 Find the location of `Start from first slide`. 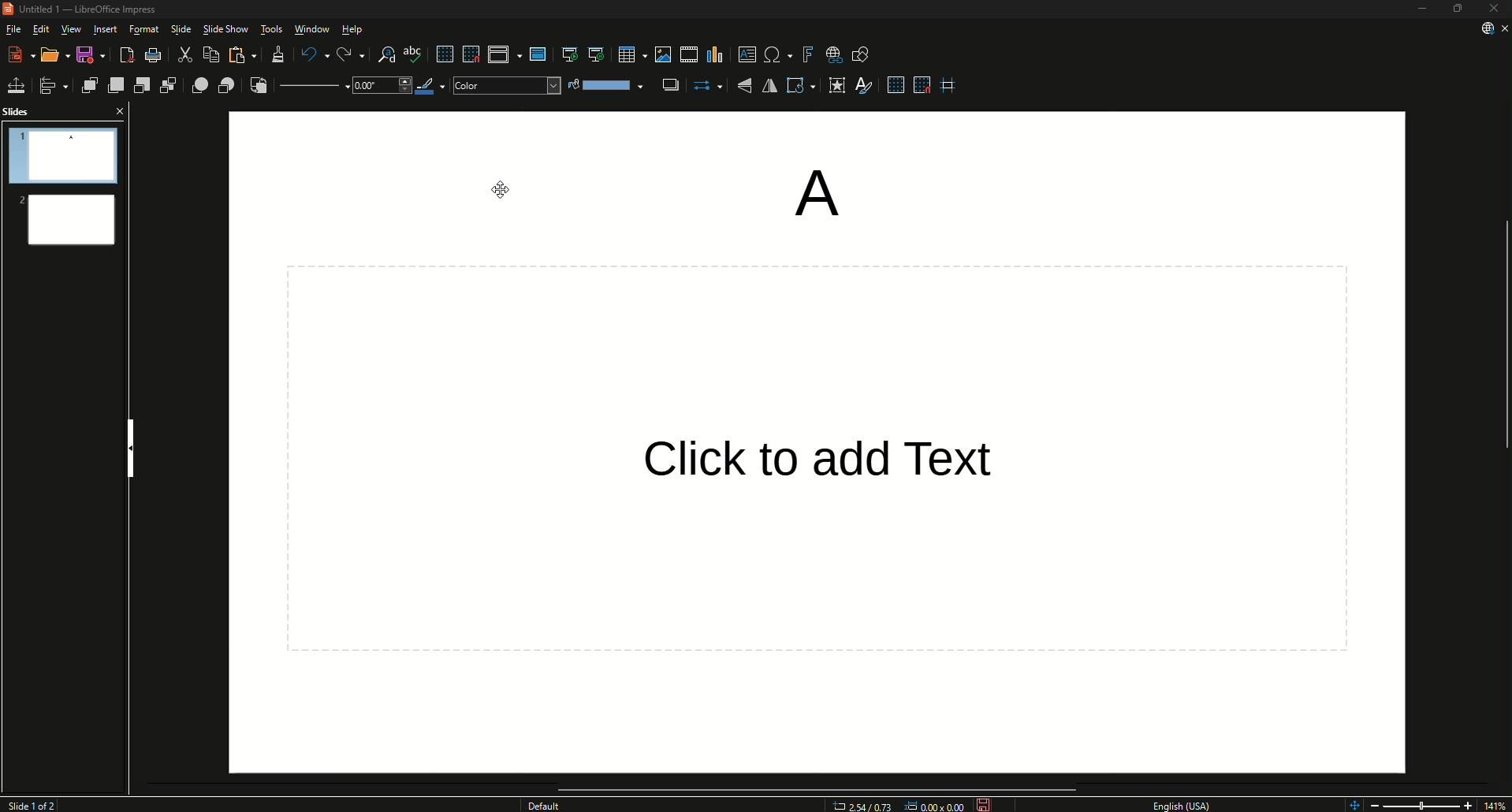

Start from first slide is located at coordinates (566, 53).